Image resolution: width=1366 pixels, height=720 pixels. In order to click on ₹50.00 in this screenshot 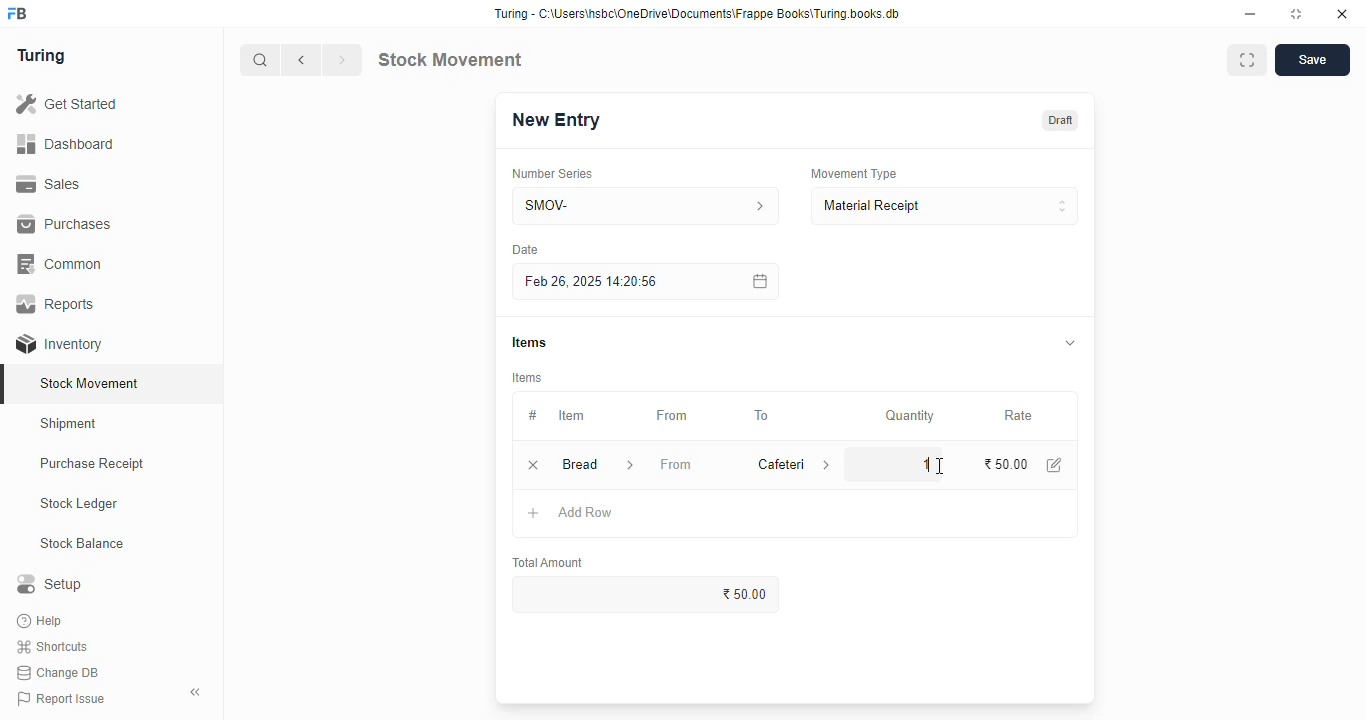, I will do `click(1007, 464)`.